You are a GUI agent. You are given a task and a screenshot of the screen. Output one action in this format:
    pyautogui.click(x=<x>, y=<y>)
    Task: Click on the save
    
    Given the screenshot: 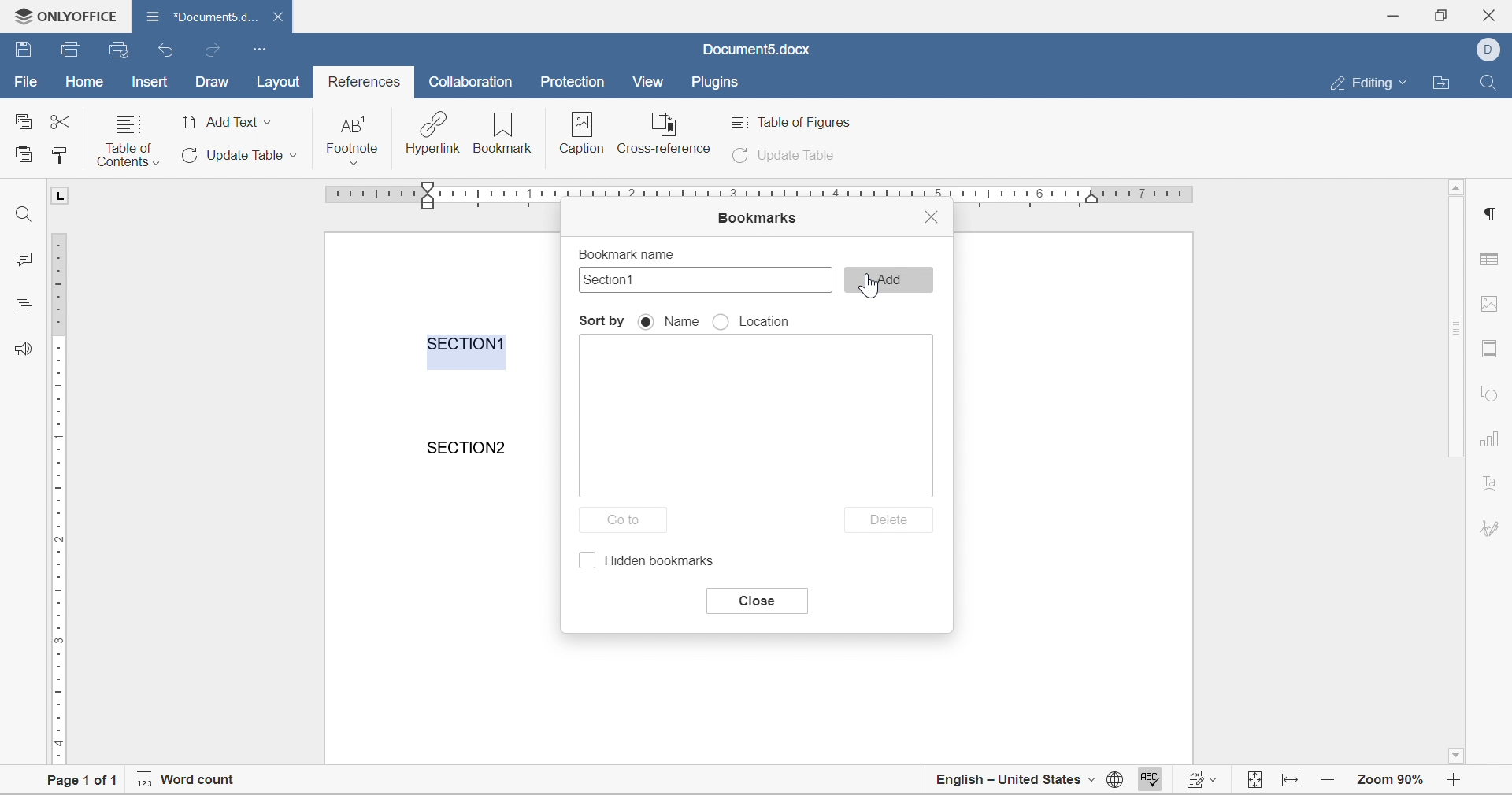 What is the action you would take?
    pyautogui.click(x=72, y=50)
    